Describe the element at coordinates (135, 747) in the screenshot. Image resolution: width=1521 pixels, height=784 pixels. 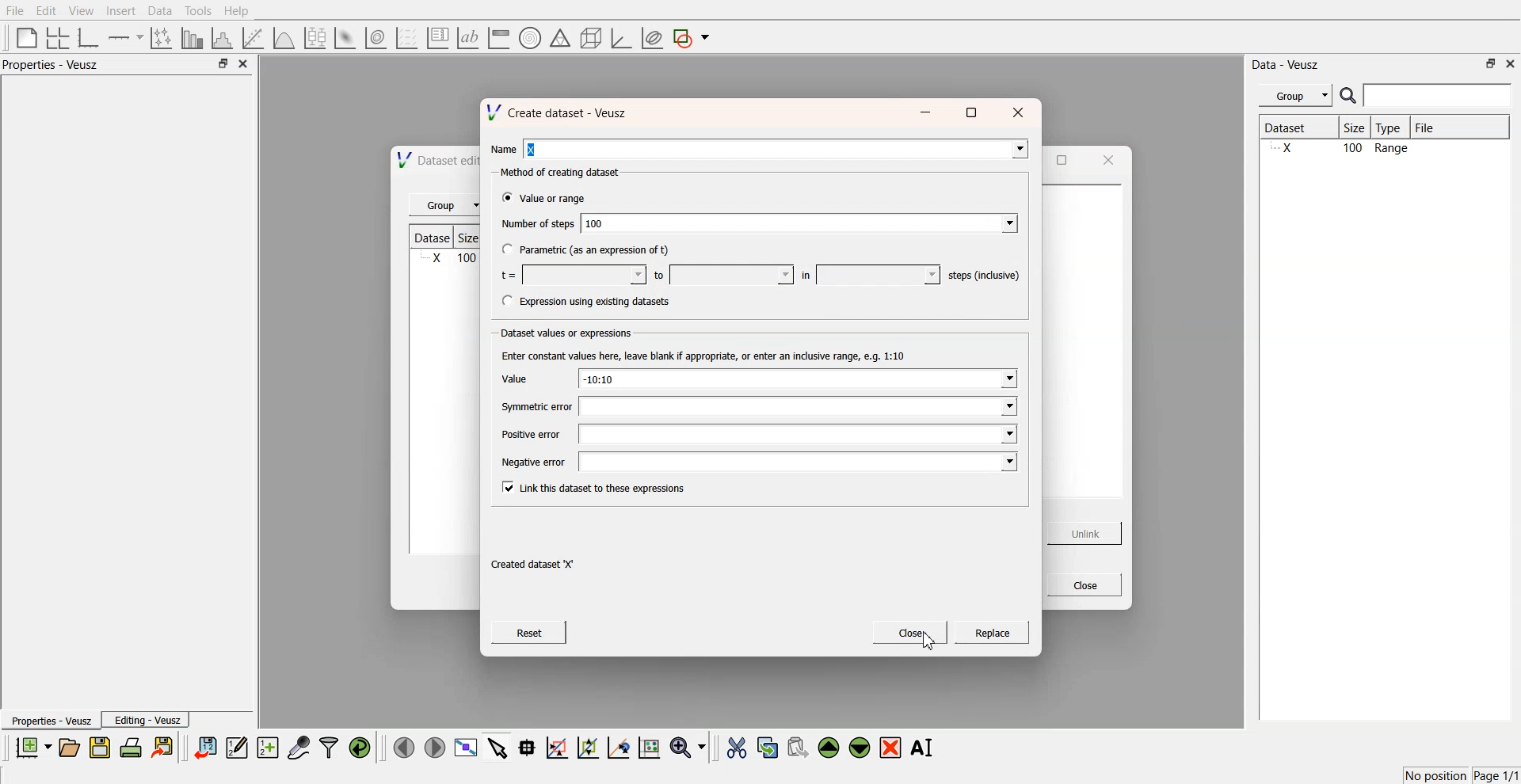
I see `print` at that location.